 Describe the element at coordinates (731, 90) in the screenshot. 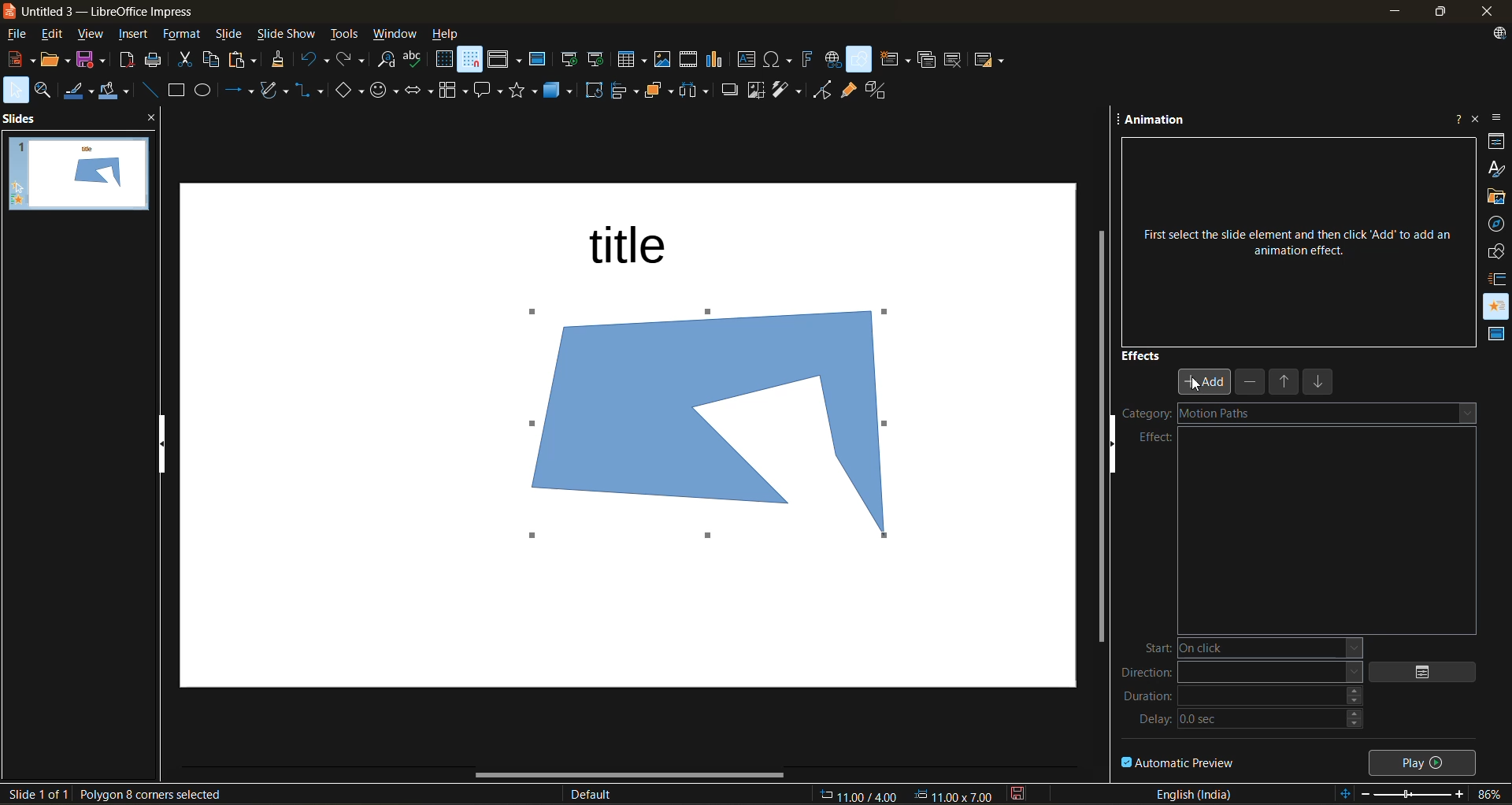

I see `shadow` at that location.